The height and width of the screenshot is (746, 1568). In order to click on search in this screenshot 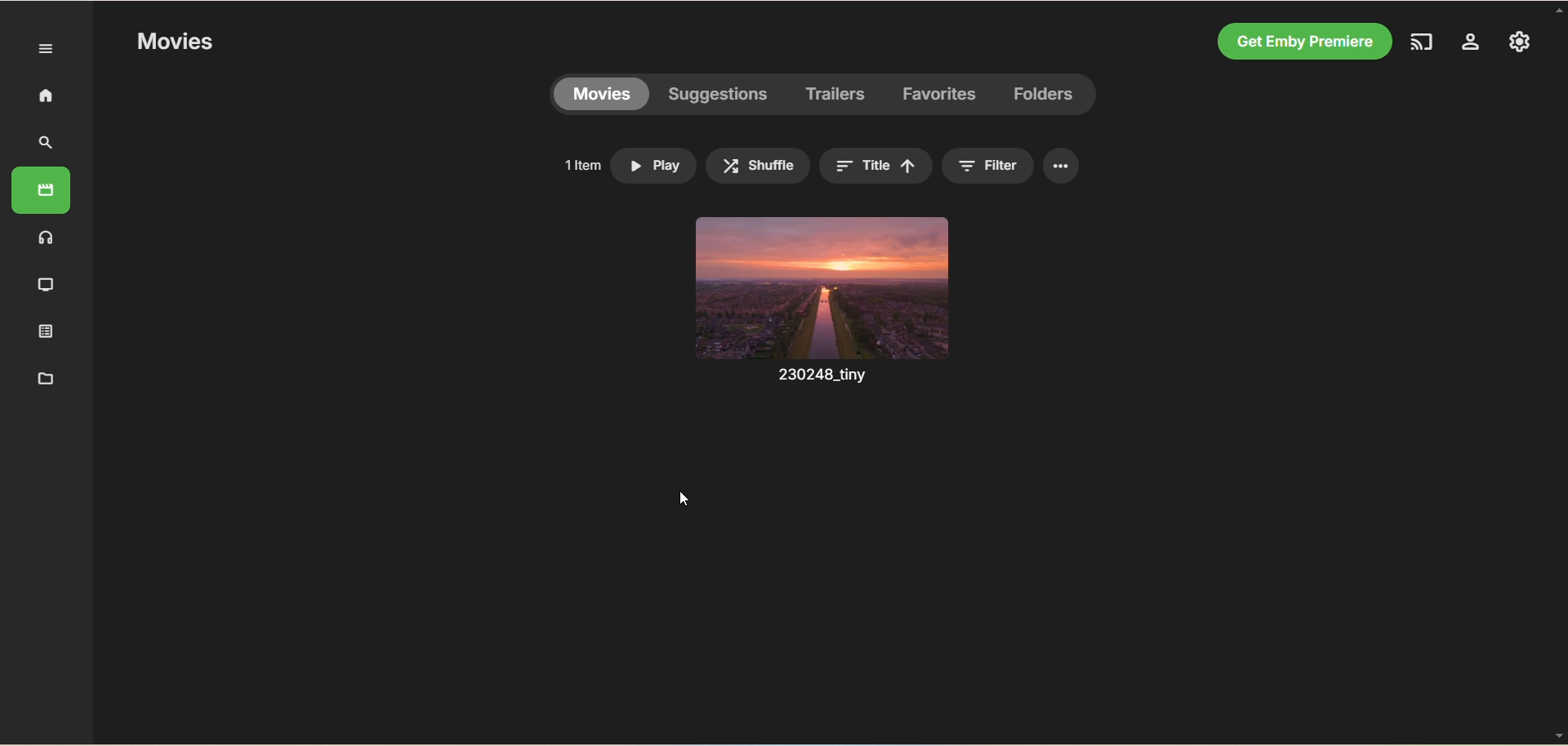, I will do `click(48, 143)`.